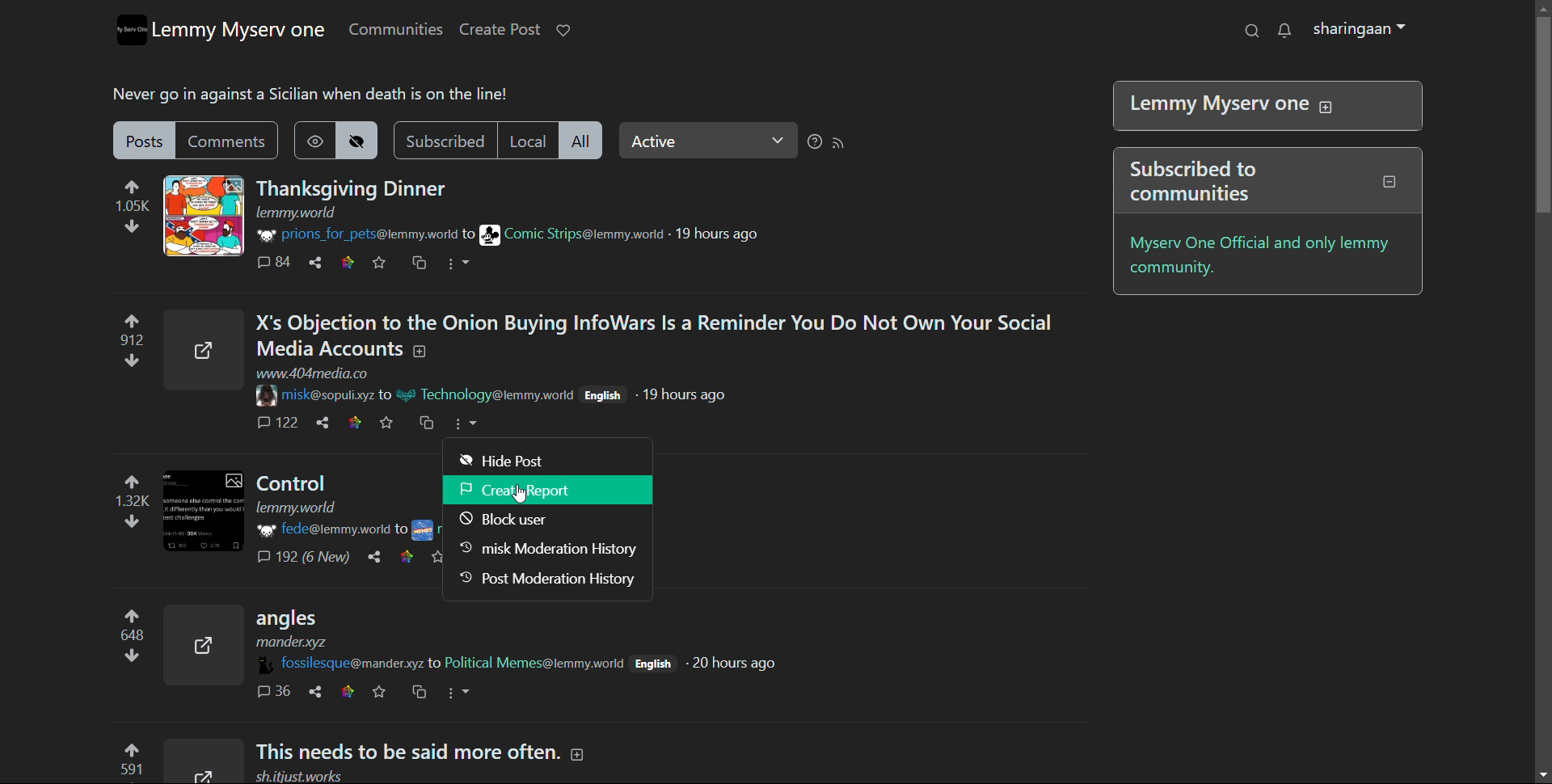 The width and height of the screenshot is (1552, 784). What do you see at coordinates (119, 499) in the screenshot?
I see `upvote and downvote` at bounding box center [119, 499].